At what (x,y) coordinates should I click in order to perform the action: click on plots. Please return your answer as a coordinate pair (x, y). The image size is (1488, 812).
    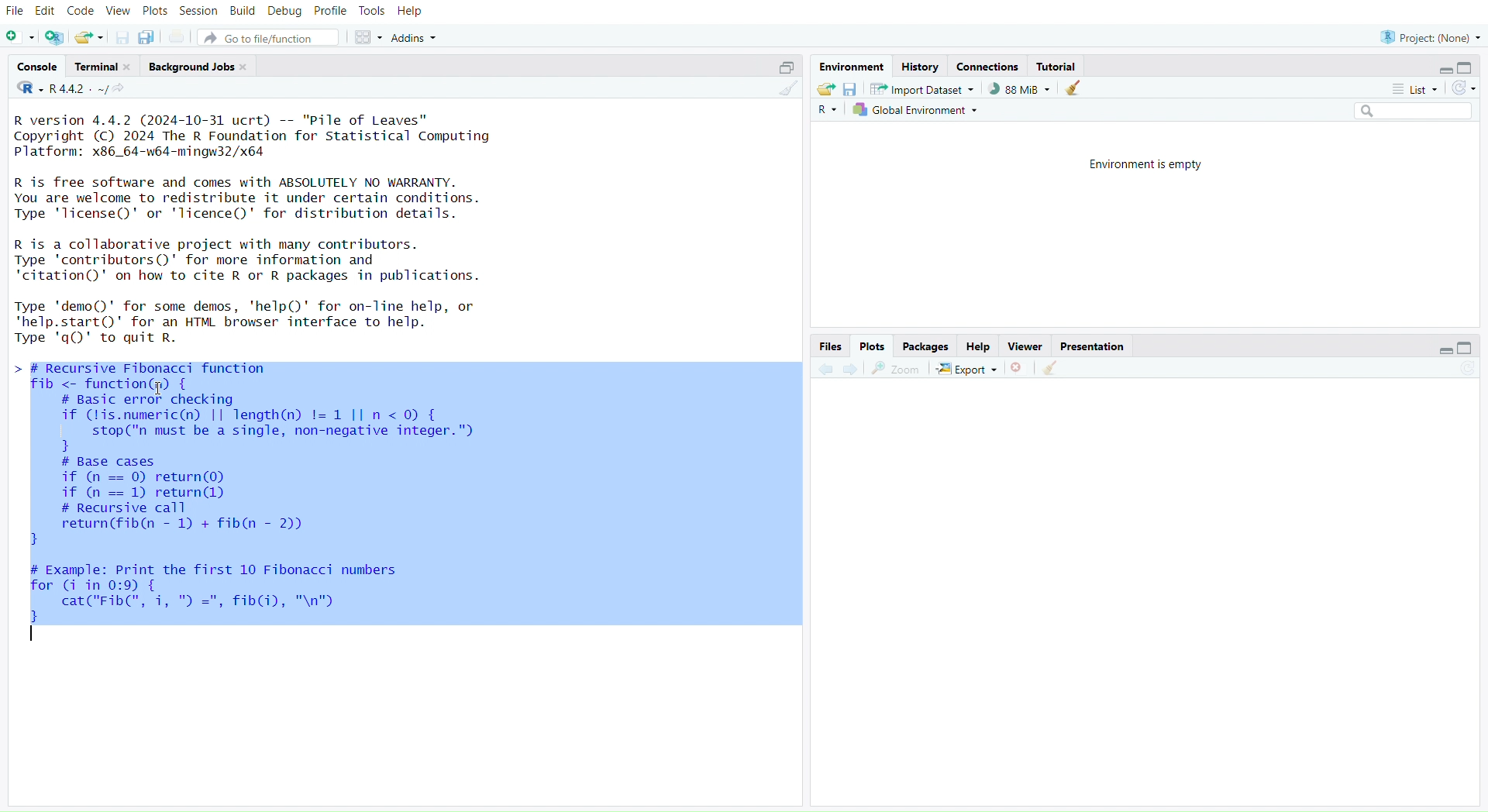
    Looking at the image, I should click on (155, 13).